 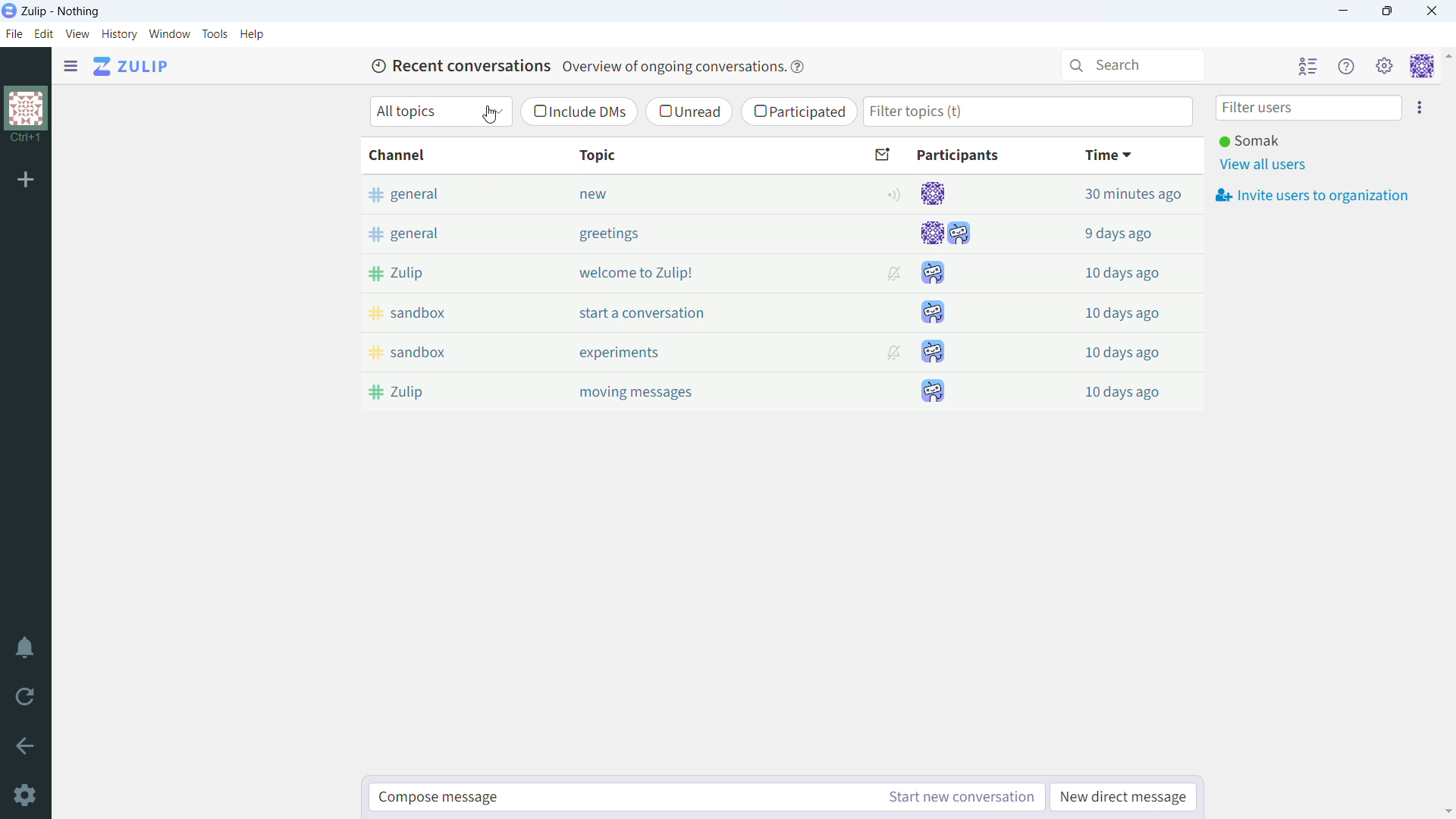 What do you see at coordinates (443, 155) in the screenshot?
I see `channel` at bounding box center [443, 155].